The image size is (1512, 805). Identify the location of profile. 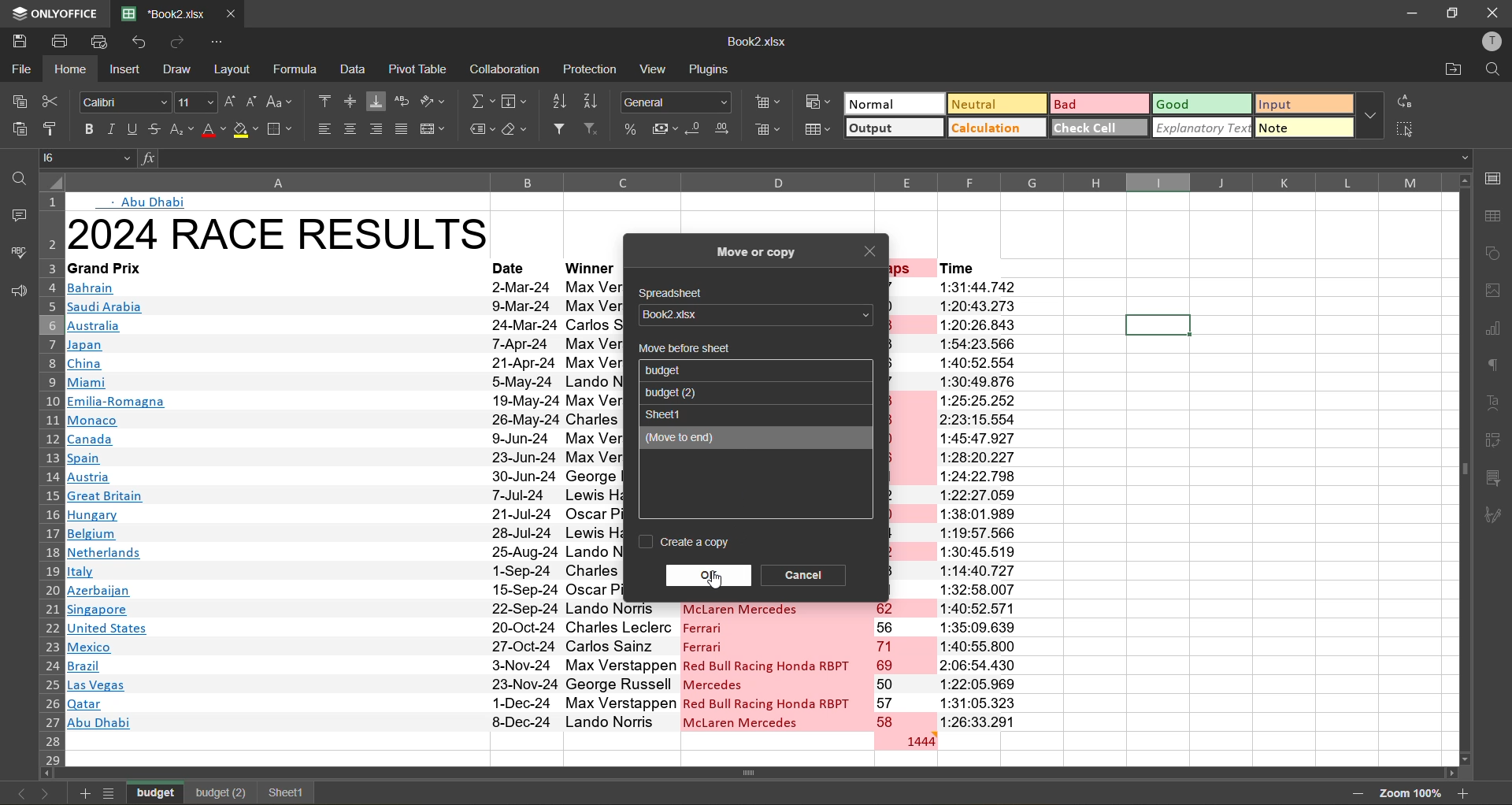
(1488, 42).